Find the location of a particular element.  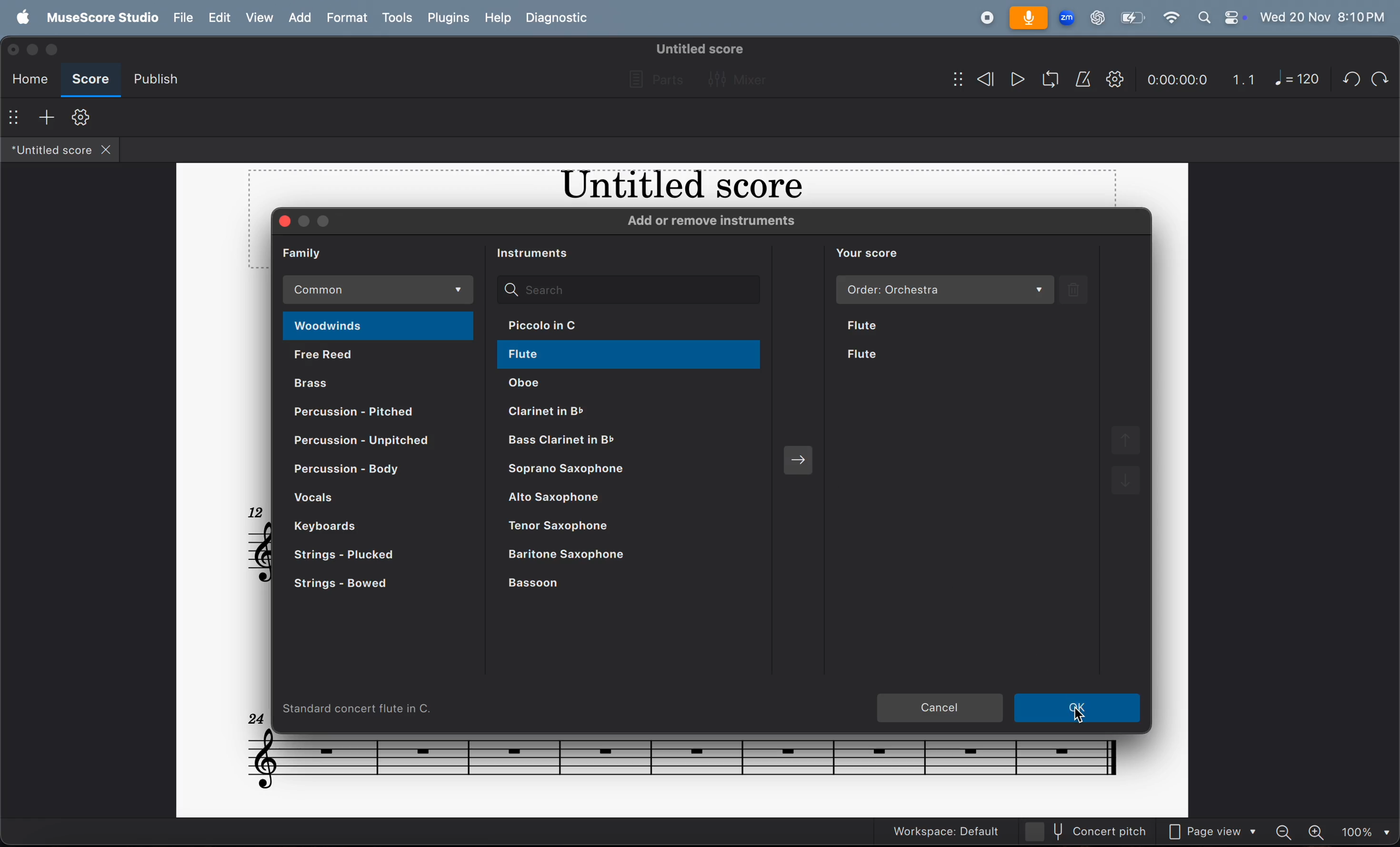

edit is located at coordinates (221, 18).